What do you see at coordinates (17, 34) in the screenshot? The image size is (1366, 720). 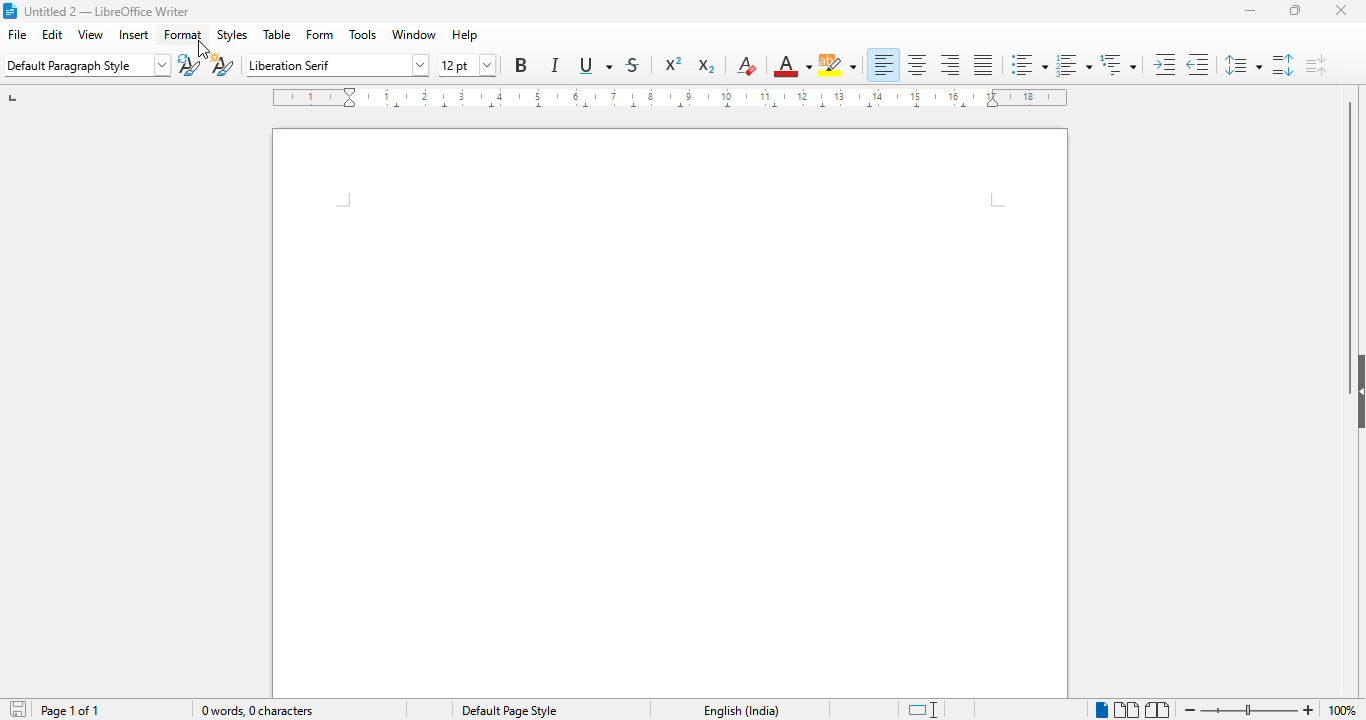 I see `file` at bounding box center [17, 34].